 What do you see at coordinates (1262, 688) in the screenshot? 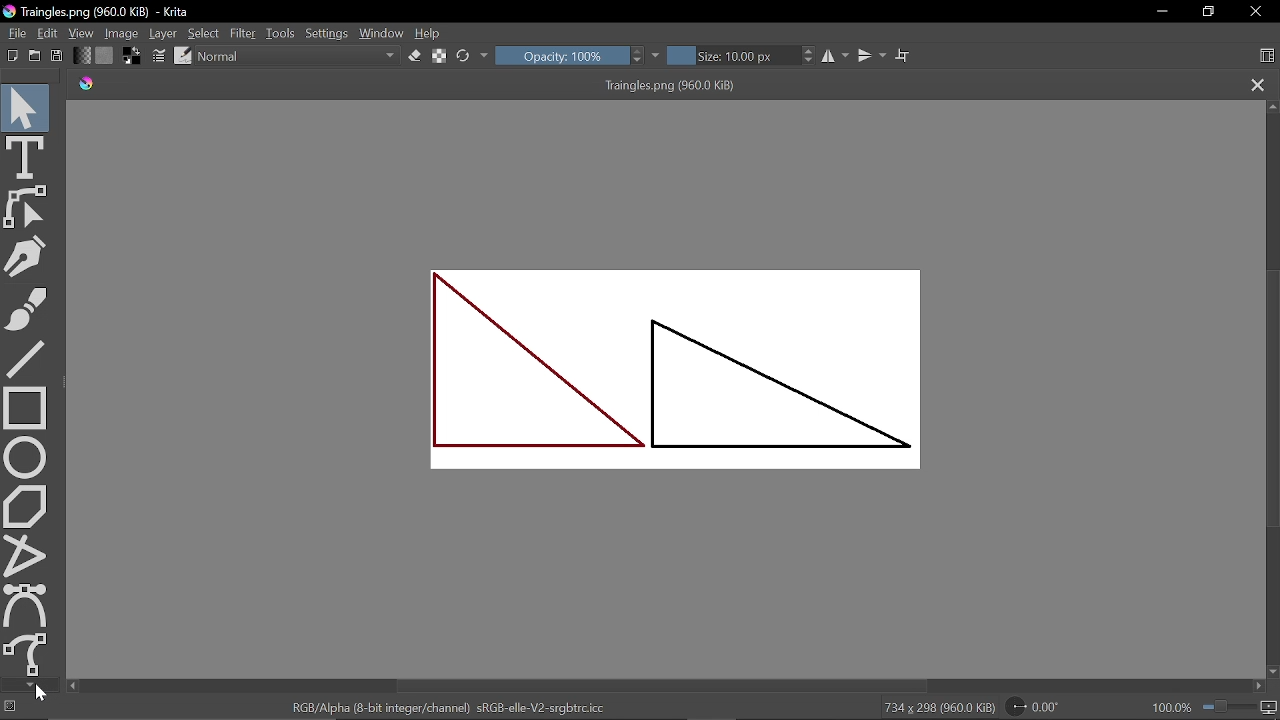
I see `Move right` at bounding box center [1262, 688].